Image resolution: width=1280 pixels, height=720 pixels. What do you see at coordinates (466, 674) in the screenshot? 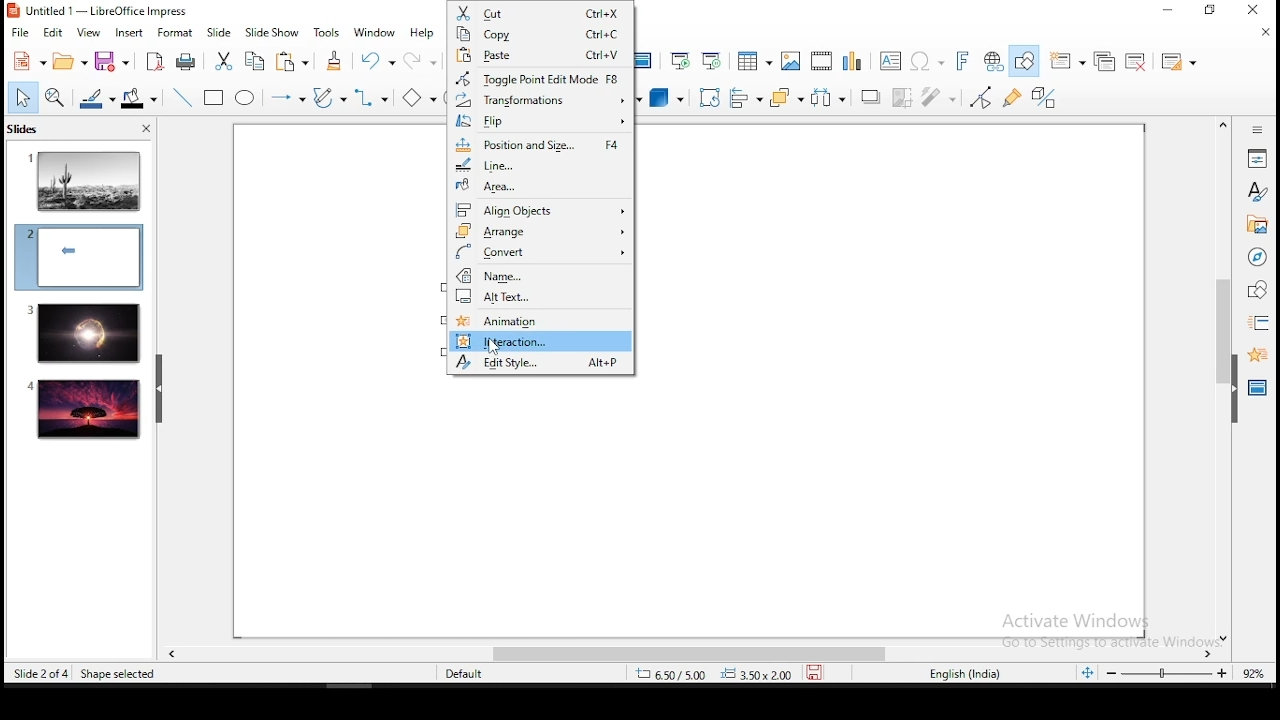
I see `default` at bounding box center [466, 674].